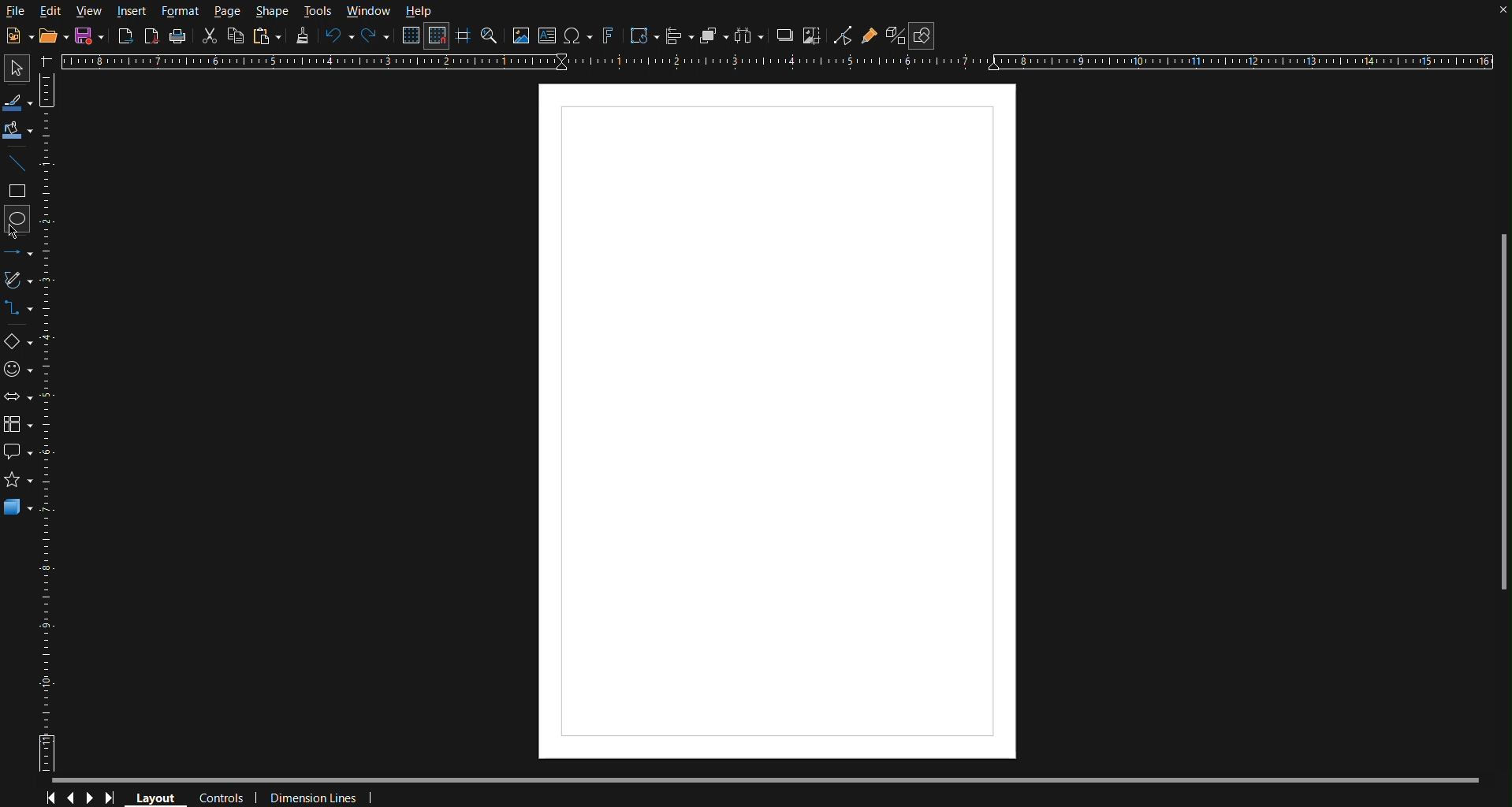  Describe the element at coordinates (19, 192) in the screenshot. I see `Square` at that location.